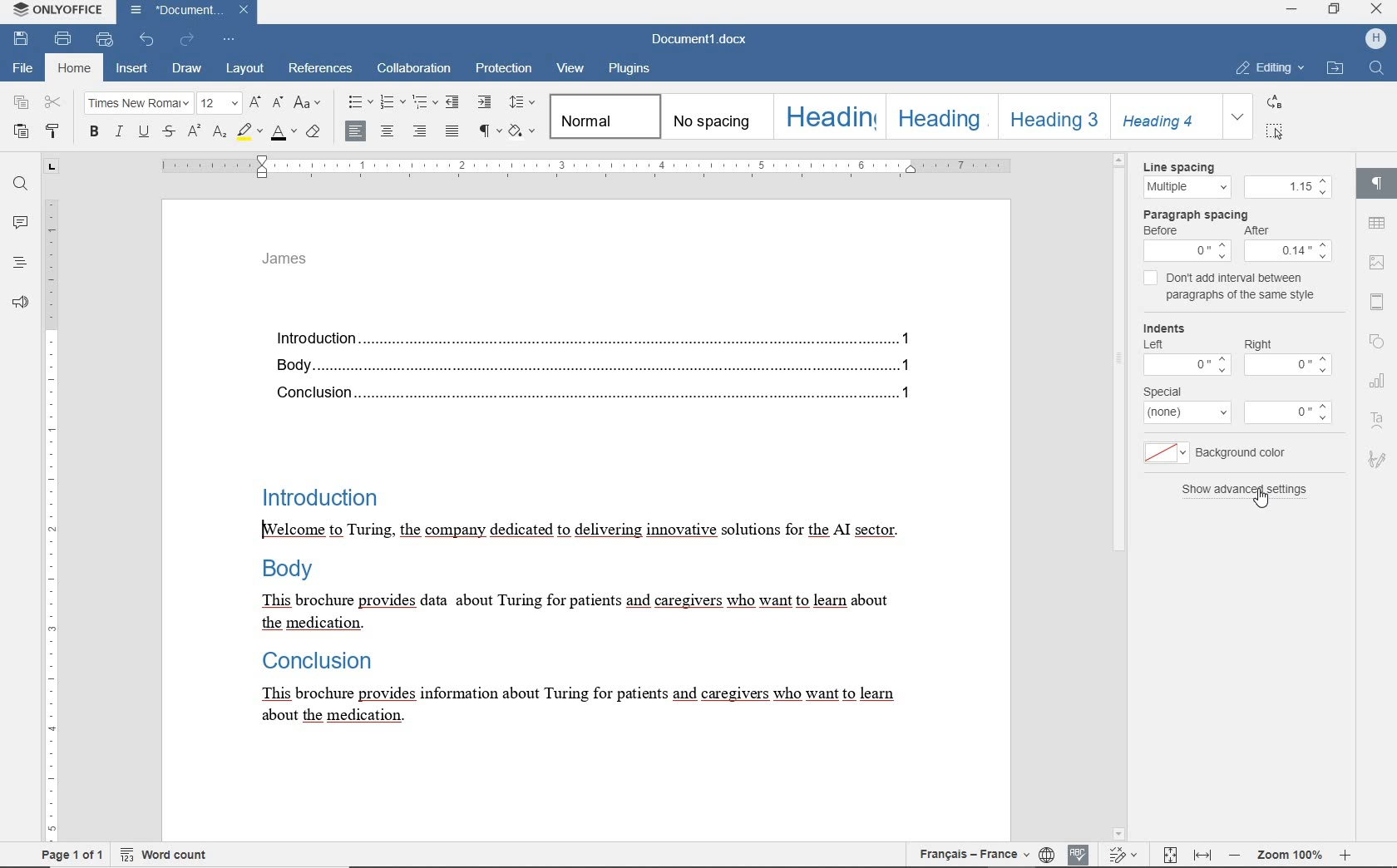 The width and height of the screenshot is (1397, 868). I want to click on increase indent, so click(485, 103).